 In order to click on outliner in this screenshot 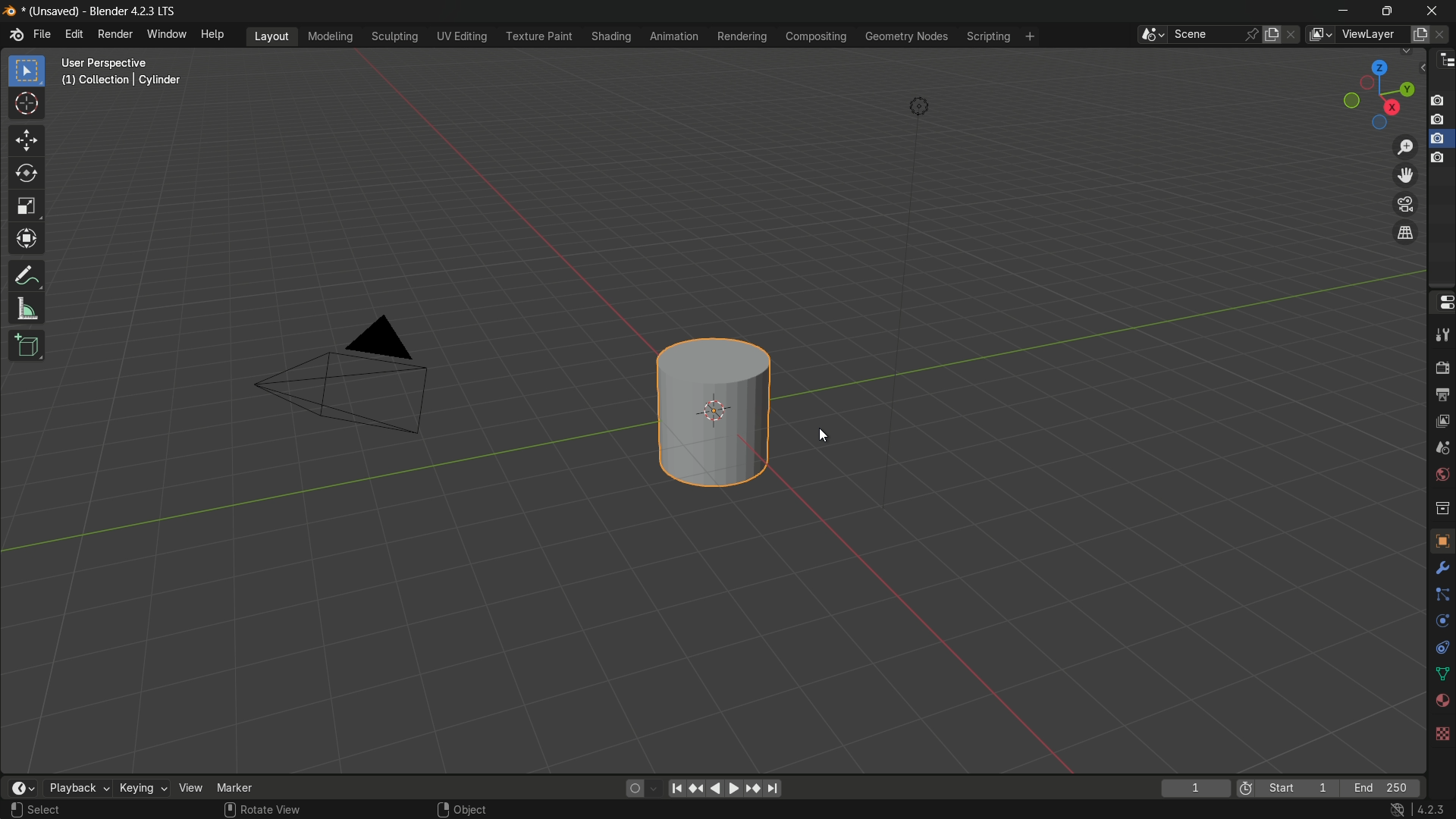, I will do `click(1443, 63)`.